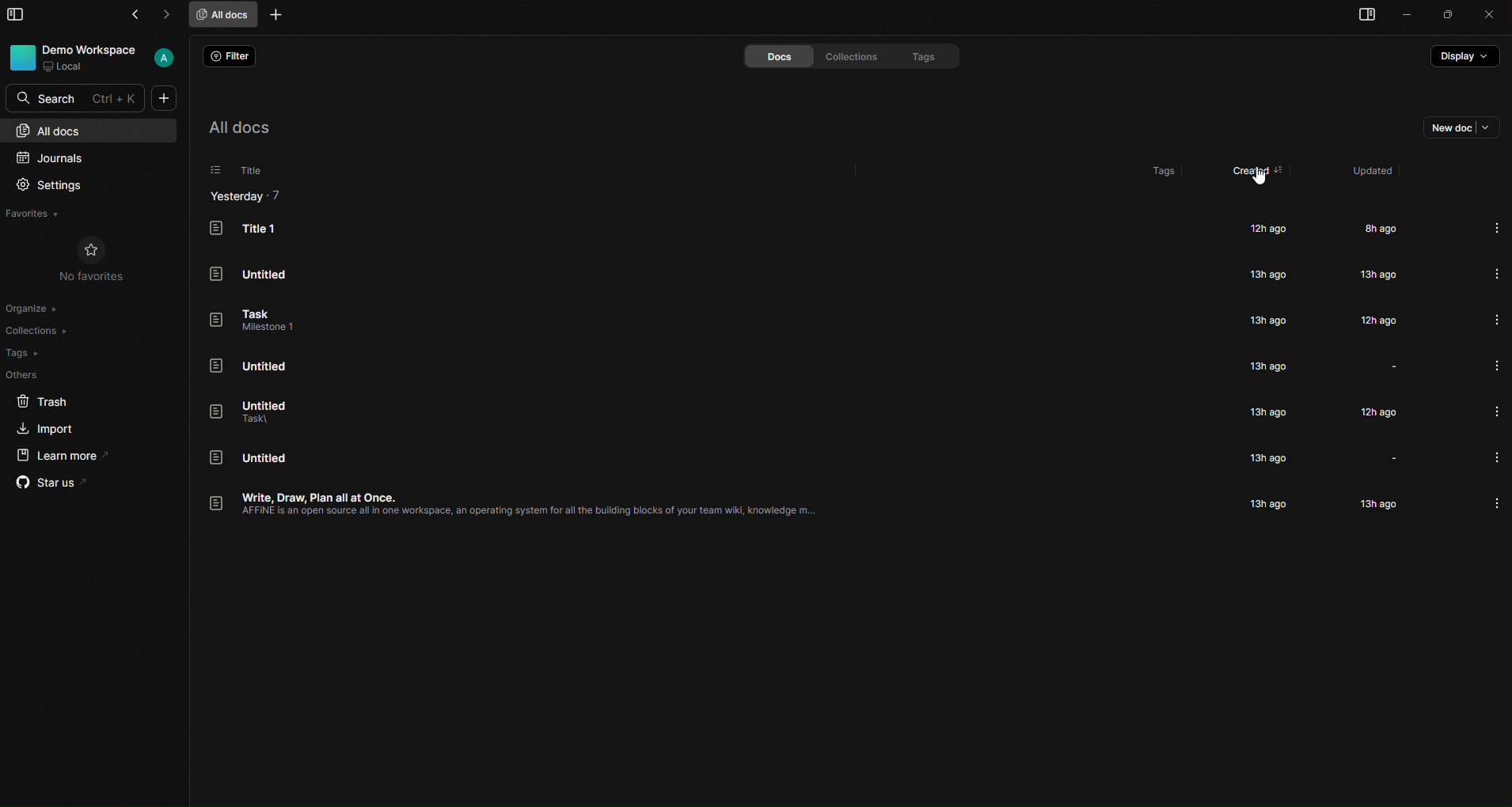  What do you see at coordinates (929, 57) in the screenshot?
I see `tags` at bounding box center [929, 57].